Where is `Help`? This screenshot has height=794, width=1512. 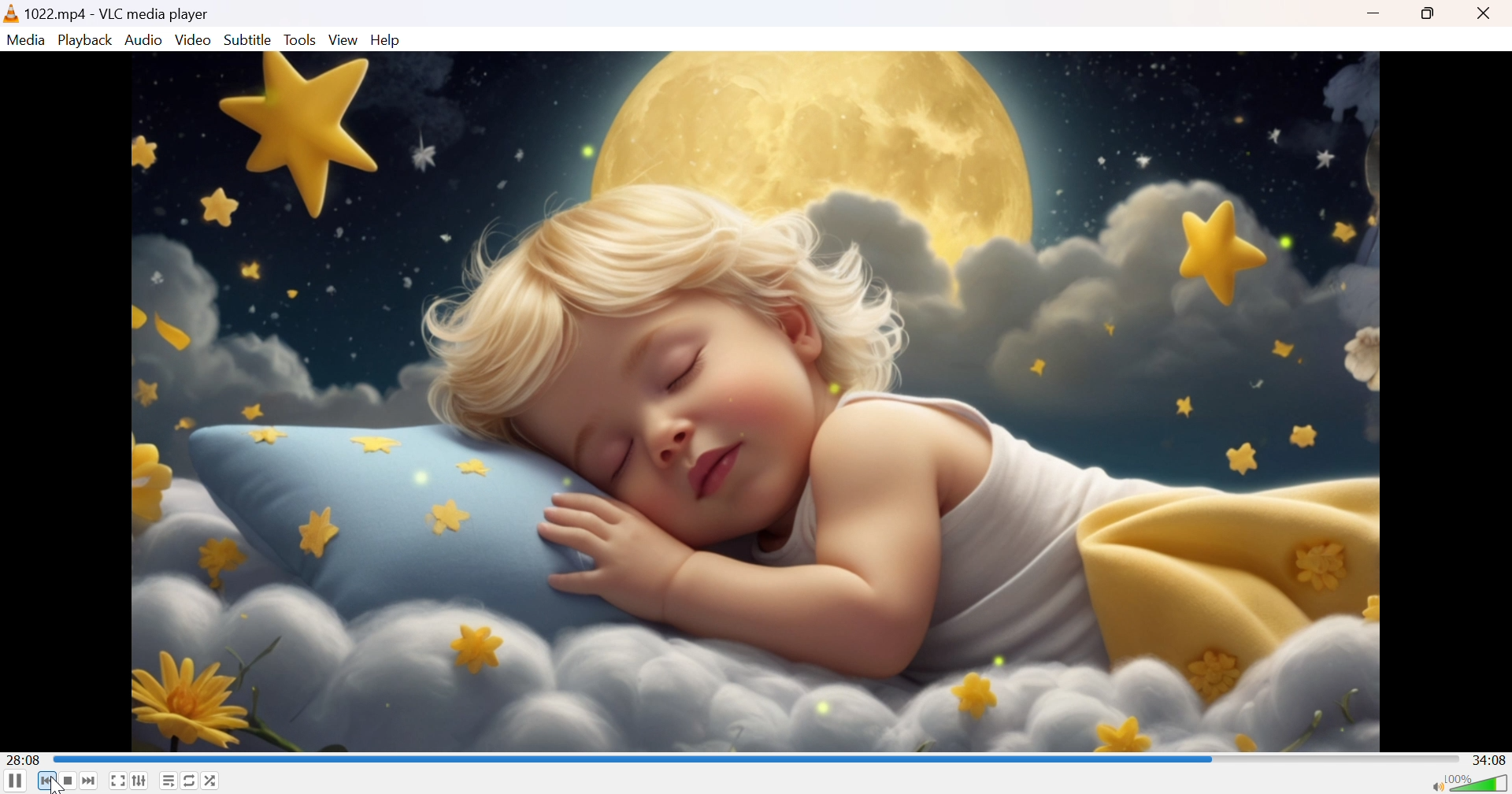 Help is located at coordinates (387, 41).